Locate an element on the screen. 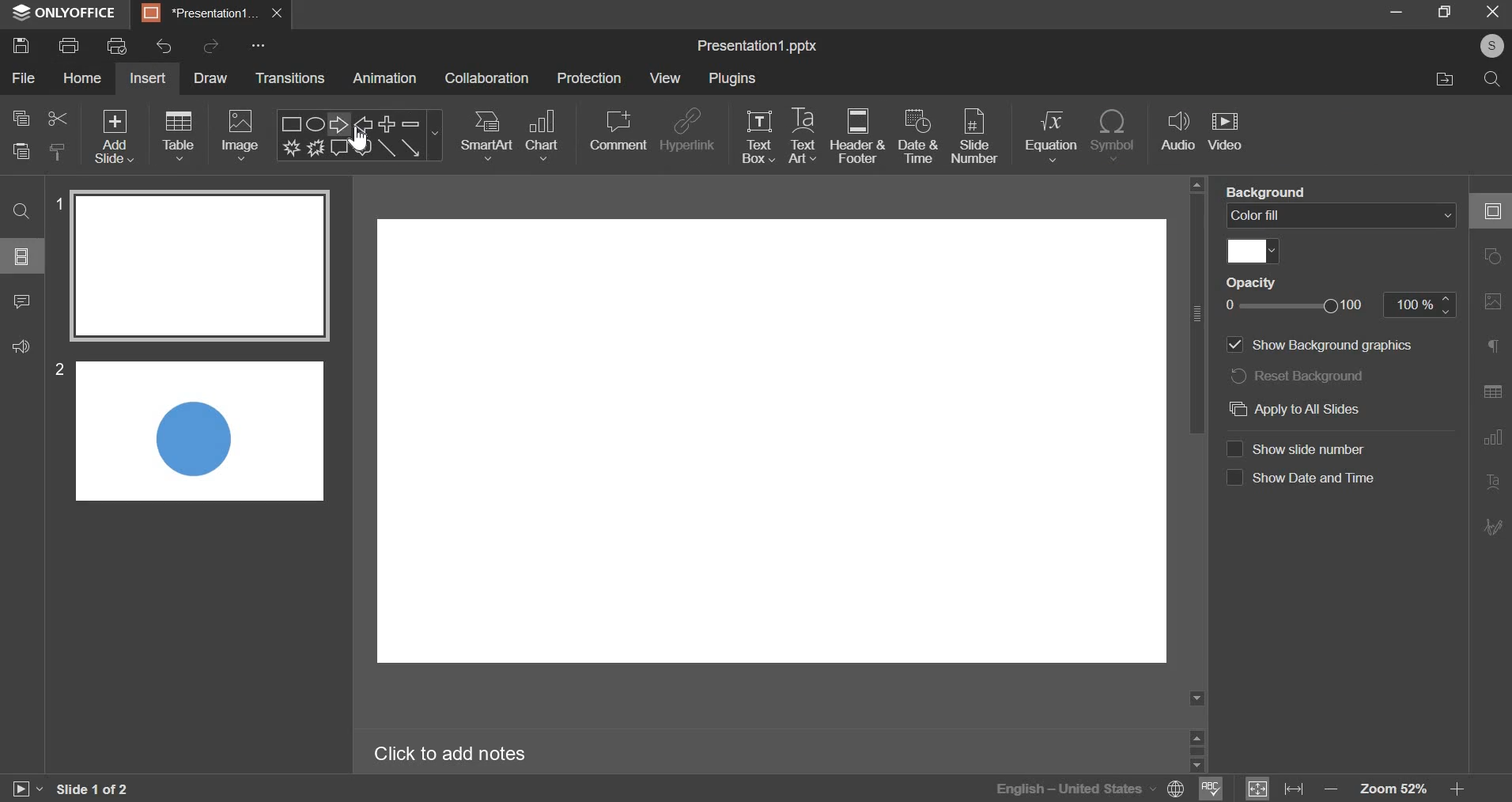 Image resolution: width=1512 pixels, height=802 pixels. reset background is located at coordinates (1302, 377).